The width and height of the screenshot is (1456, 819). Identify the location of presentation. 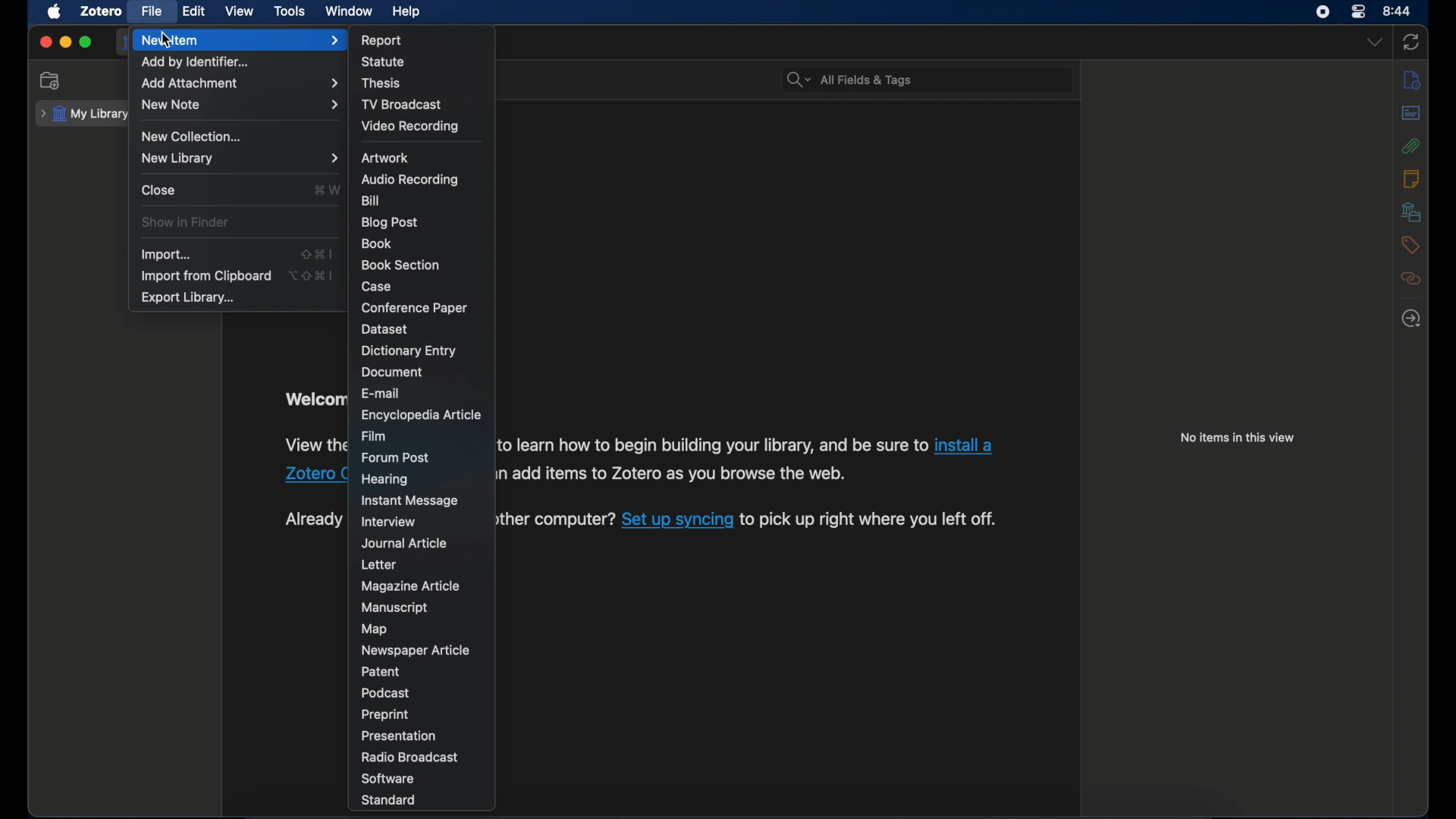
(397, 736).